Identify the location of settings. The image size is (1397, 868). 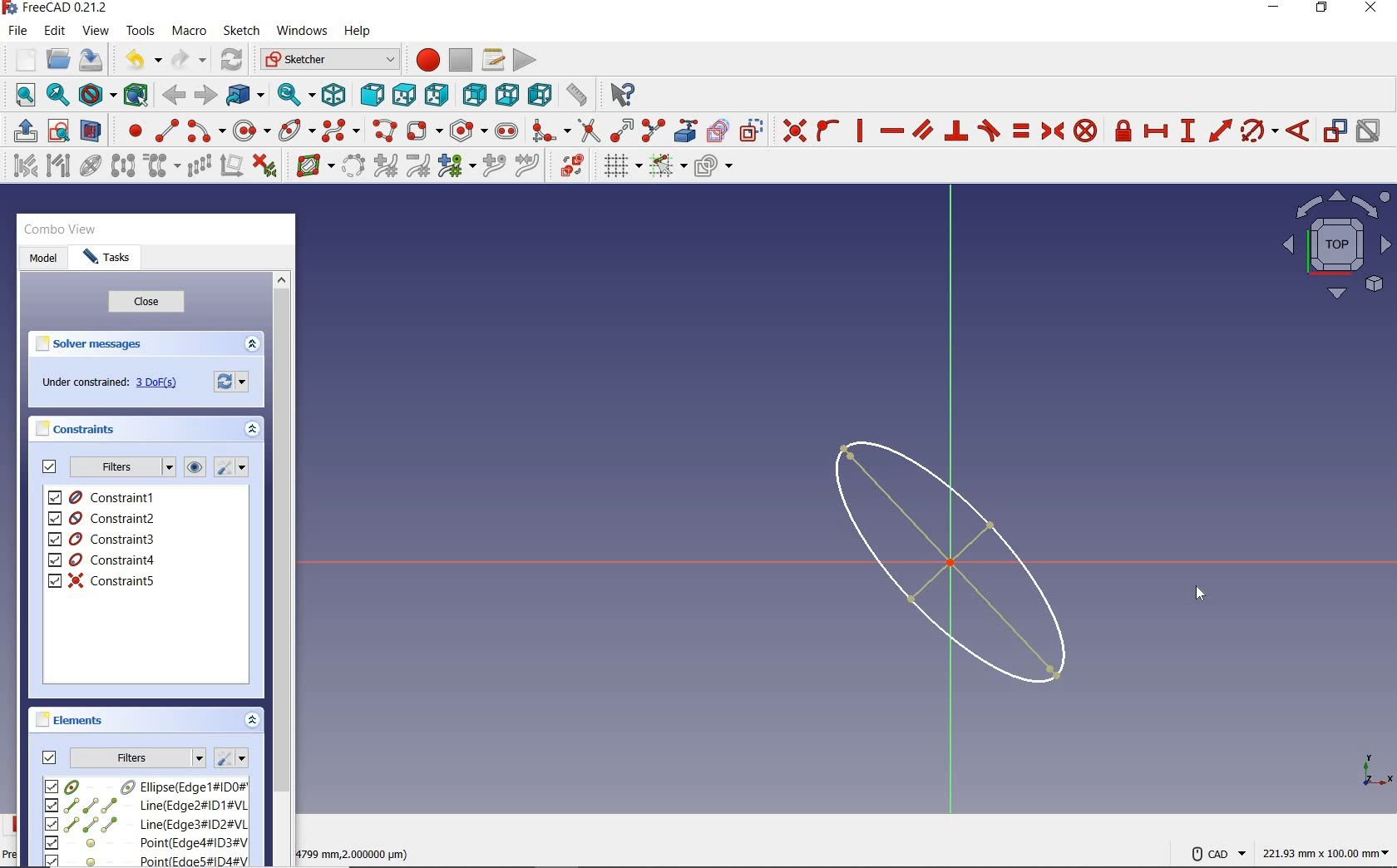
(230, 467).